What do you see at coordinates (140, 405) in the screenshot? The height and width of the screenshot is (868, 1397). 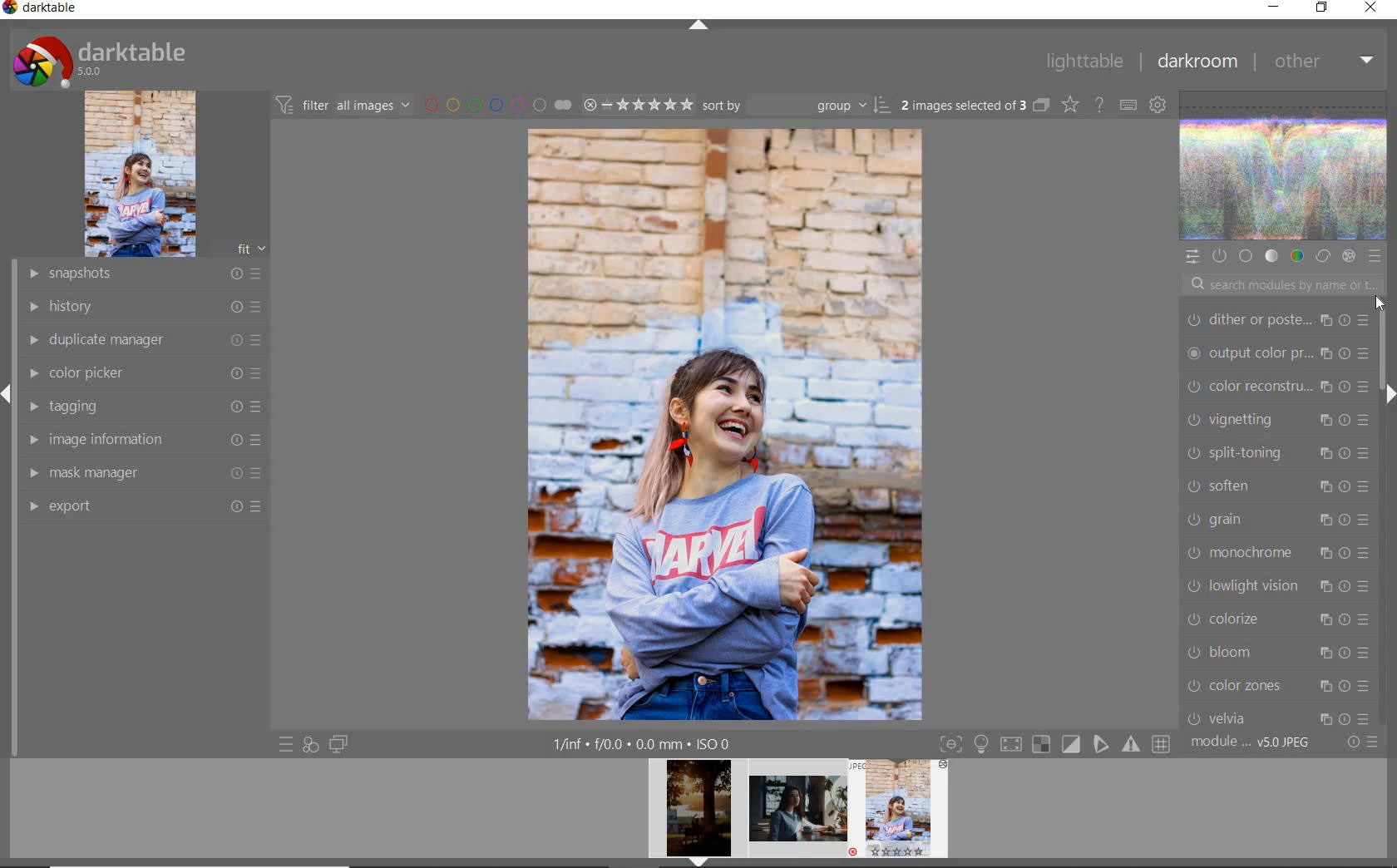 I see `tagging` at bounding box center [140, 405].